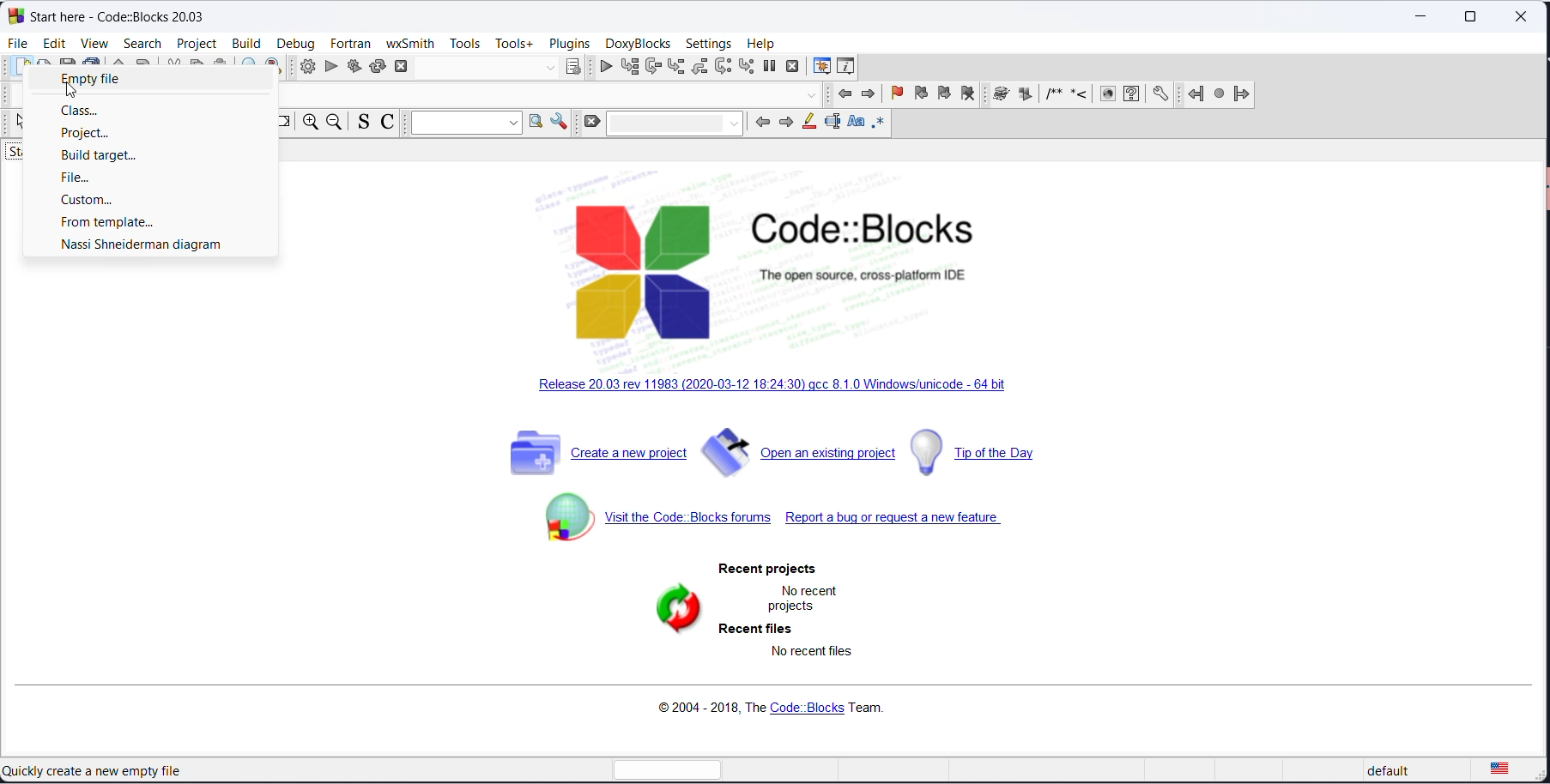  Describe the element at coordinates (1081, 96) in the screenshot. I see `Insert line` at that location.